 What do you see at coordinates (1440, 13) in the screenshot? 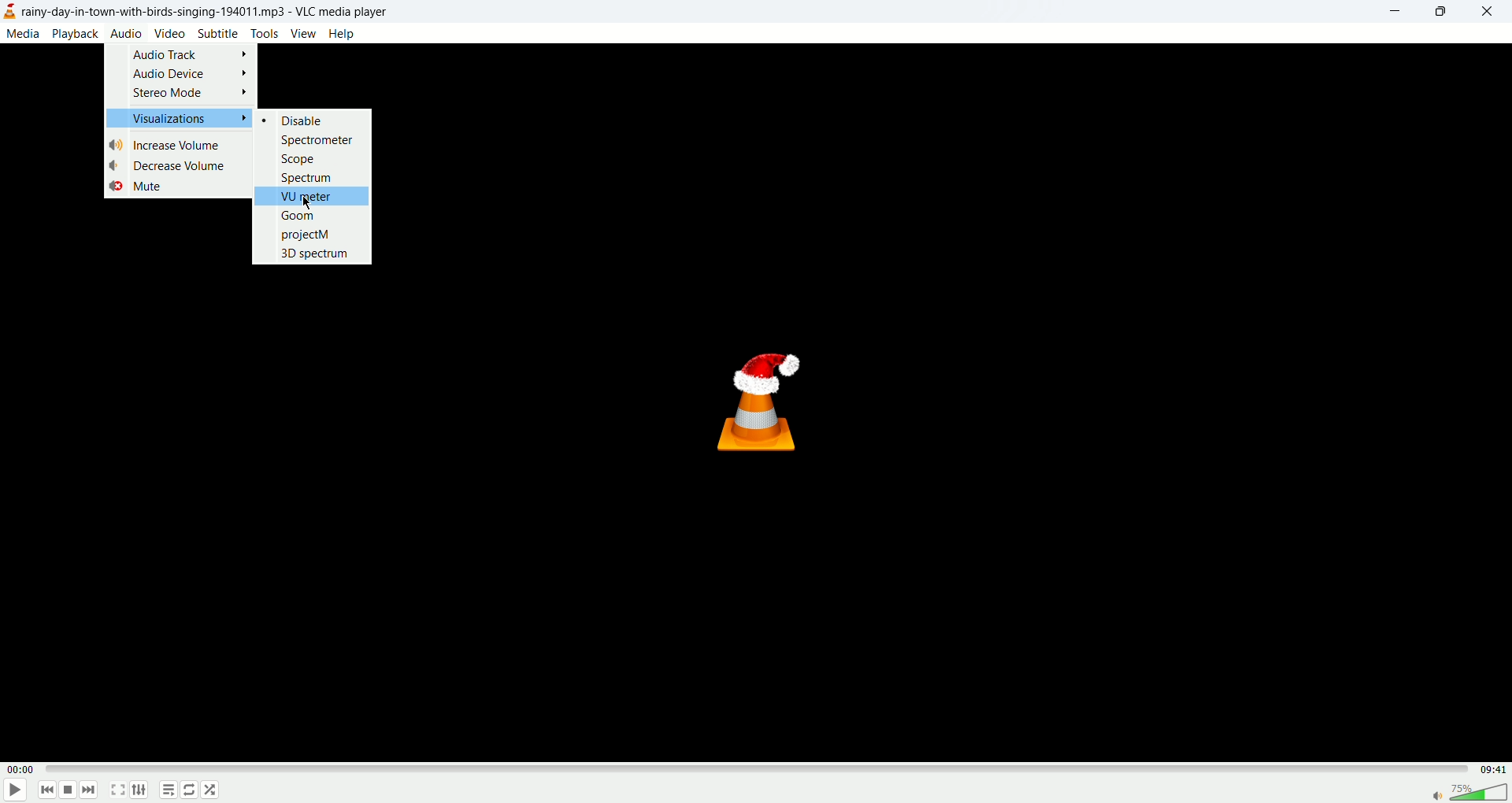
I see `maximize` at bounding box center [1440, 13].